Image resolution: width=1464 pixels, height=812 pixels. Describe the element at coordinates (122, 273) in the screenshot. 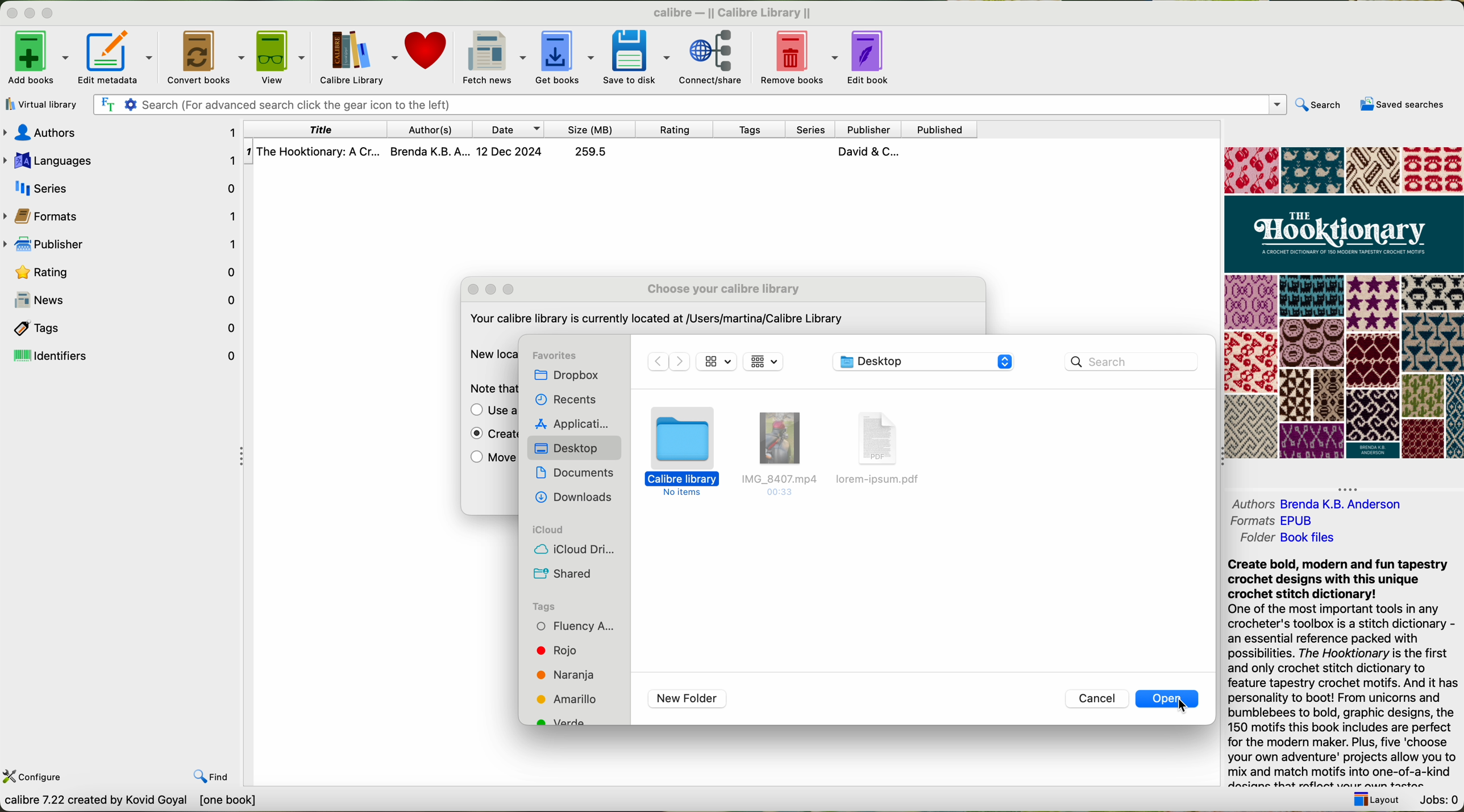

I see `rating` at that location.